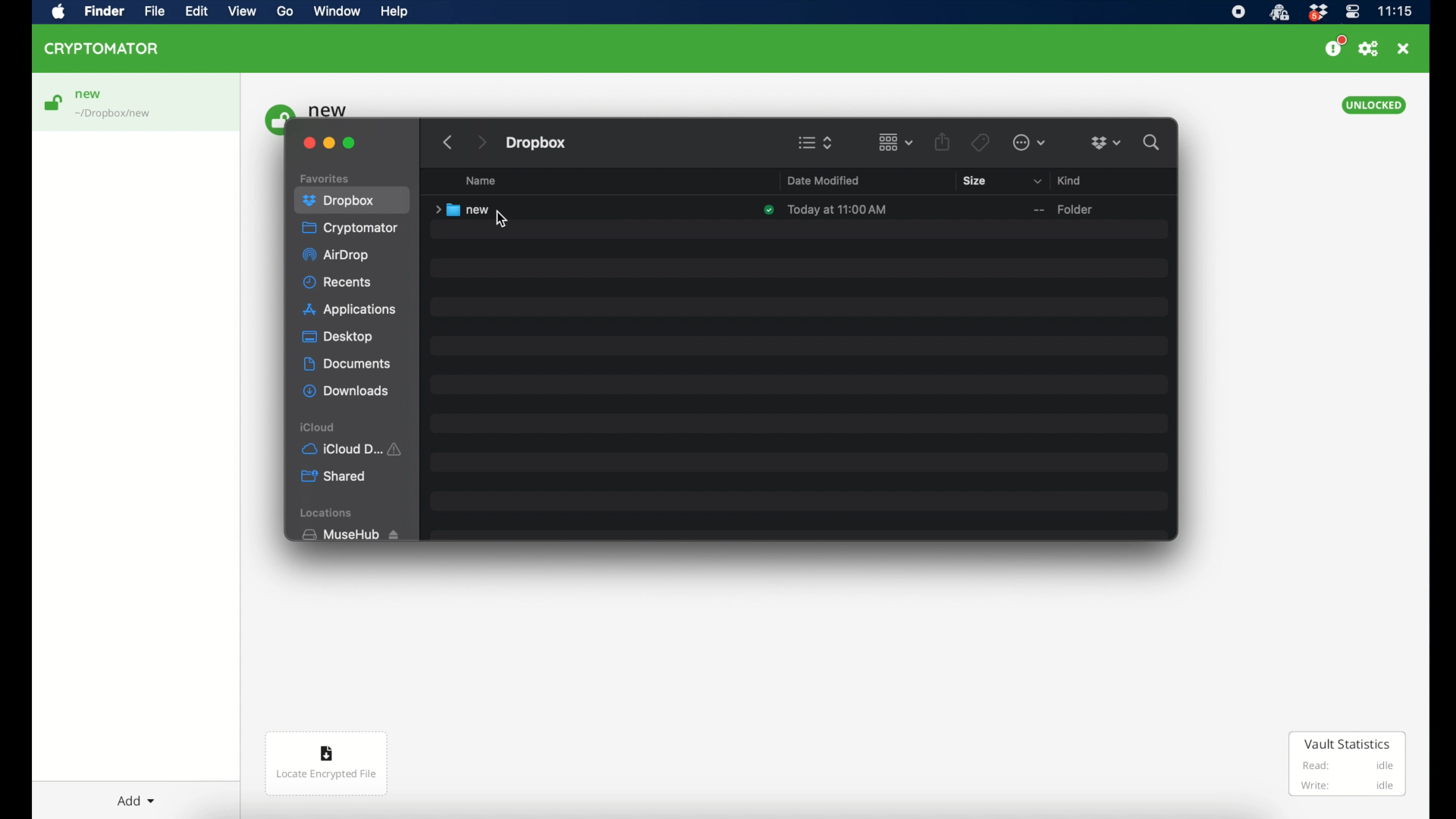 The image size is (1456, 819). I want to click on iCloud, so click(318, 428).